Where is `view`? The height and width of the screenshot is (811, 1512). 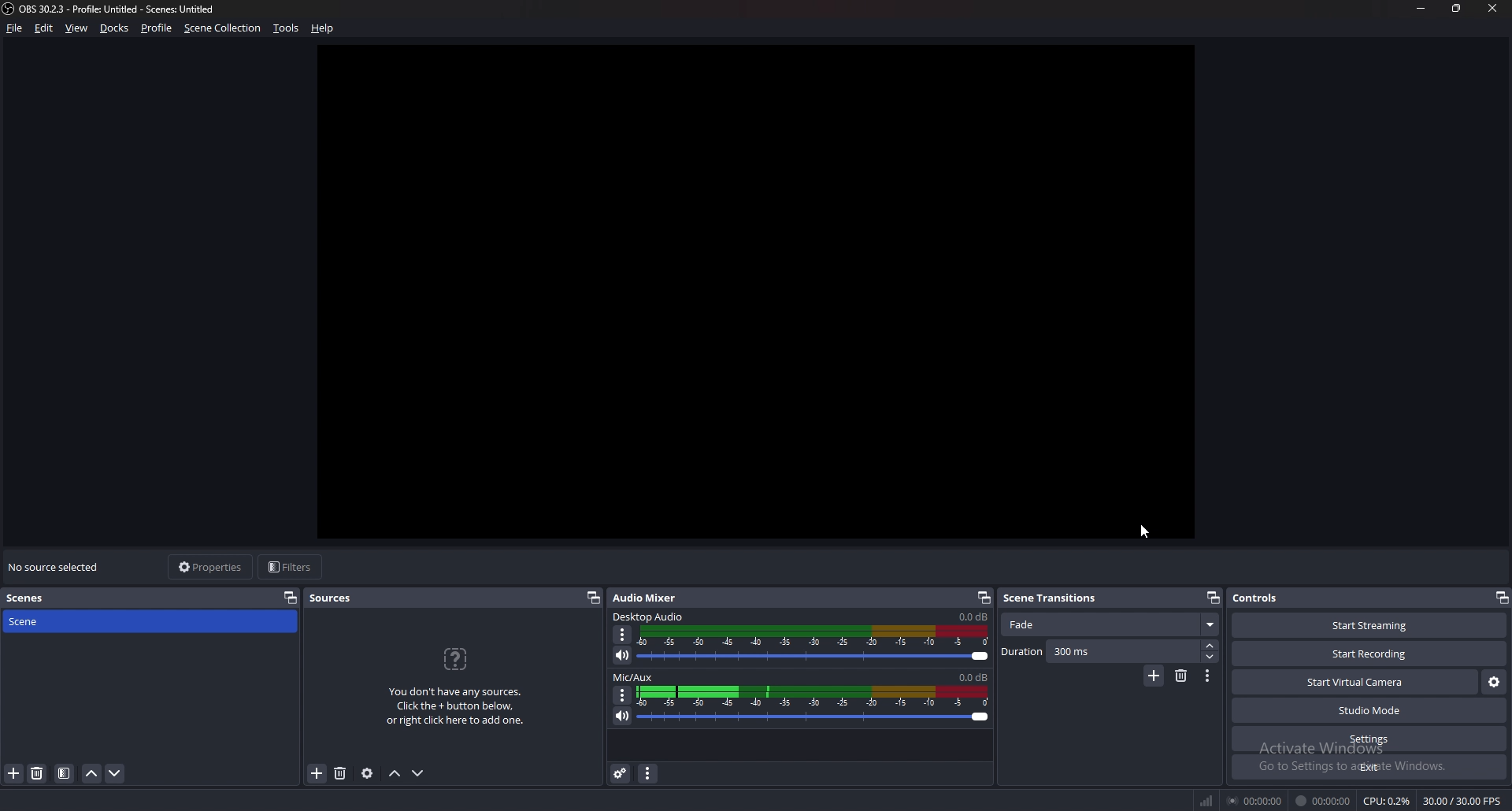 view is located at coordinates (77, 28).